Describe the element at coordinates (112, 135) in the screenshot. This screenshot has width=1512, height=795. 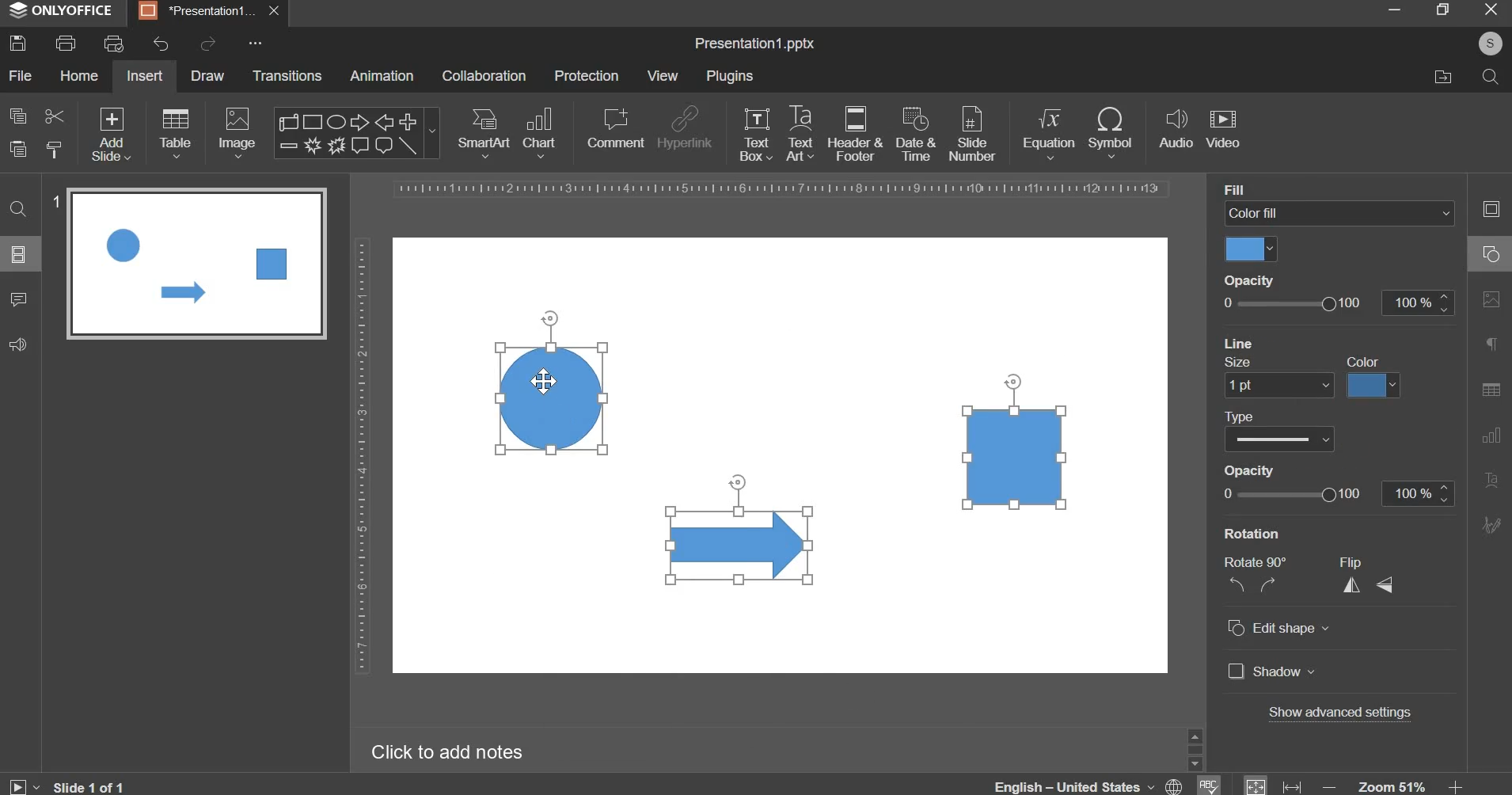
I see `add slide` at that location.